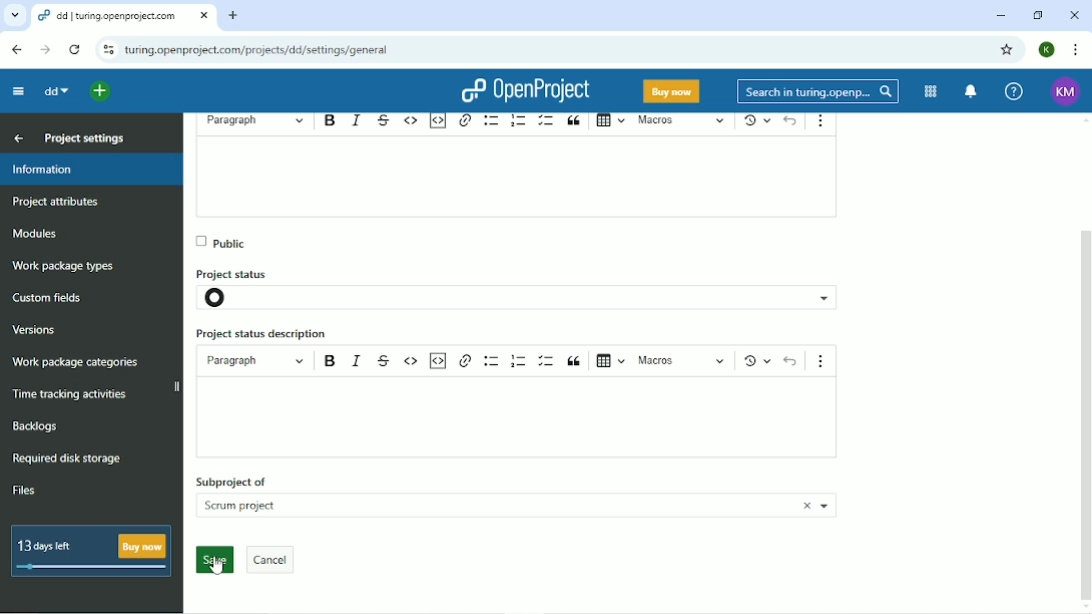  What do you see at coordinates (13, 15) in the screenshot?
I see `Search tabs` at bounding box center [13, 15].